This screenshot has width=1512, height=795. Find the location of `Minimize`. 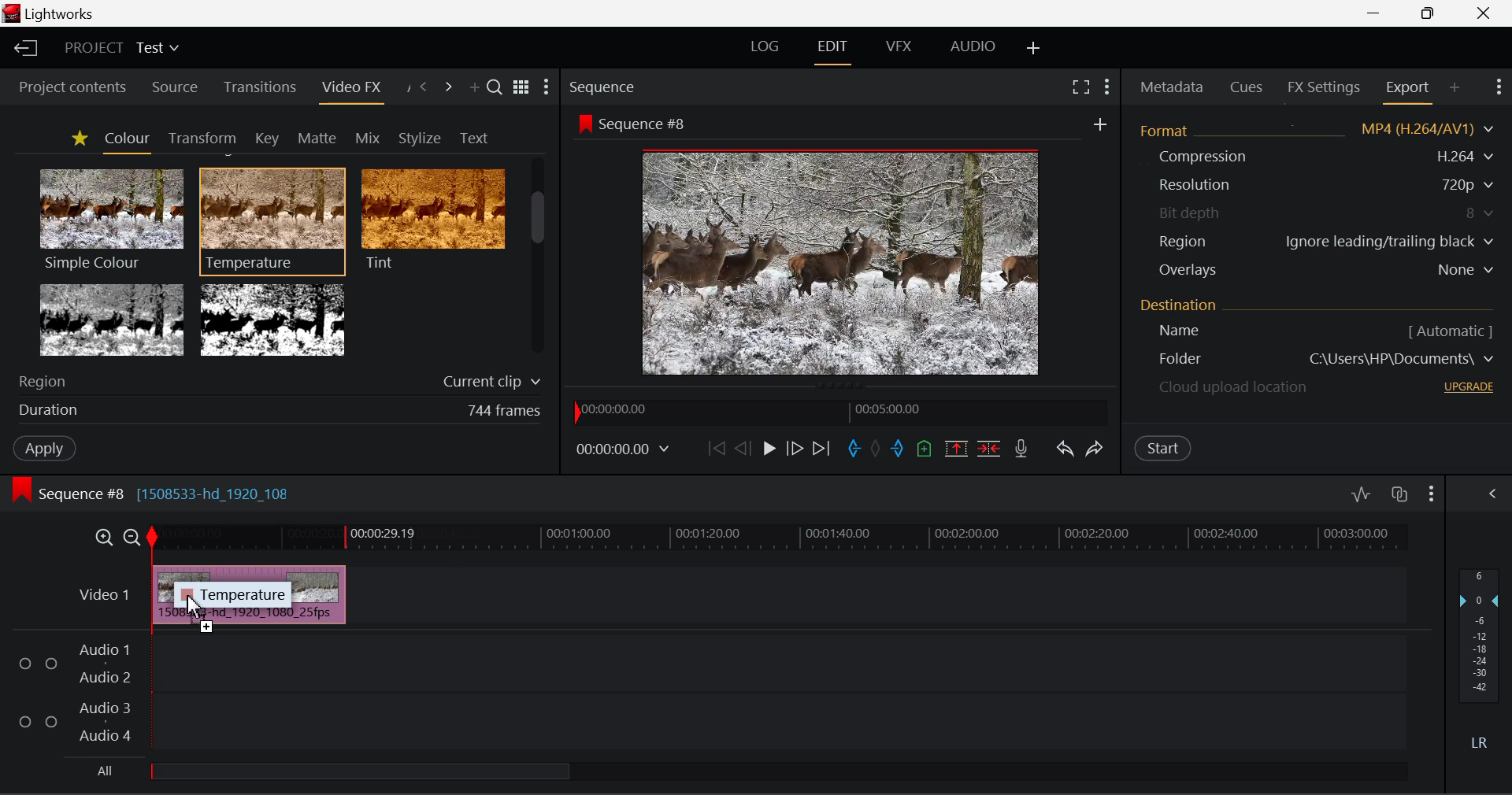

Minimize is located at coordinates (1428, 12).